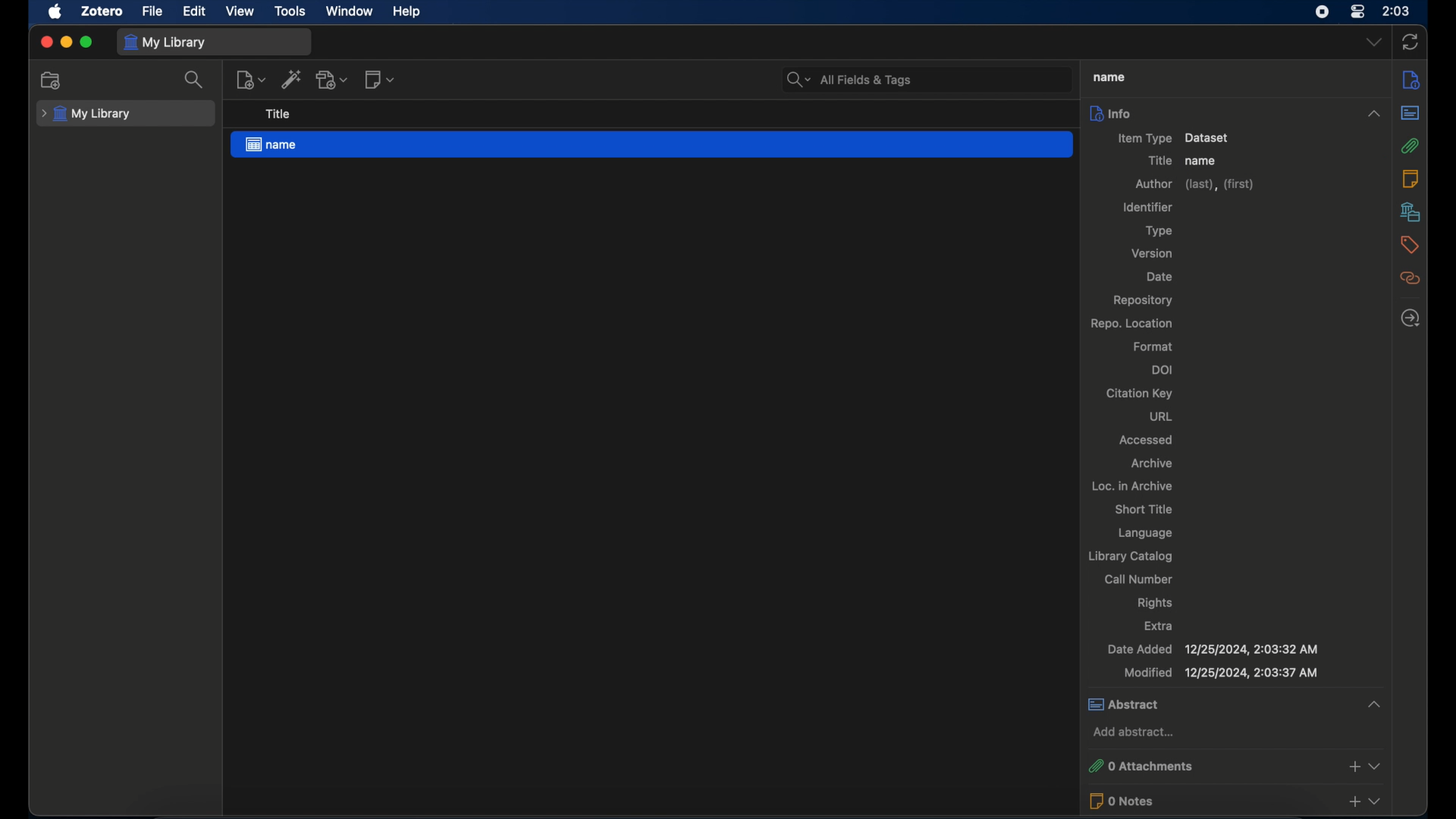 The height and width of the screenshot is (819, 1456). I want to click on tags, so click(1411, 245).